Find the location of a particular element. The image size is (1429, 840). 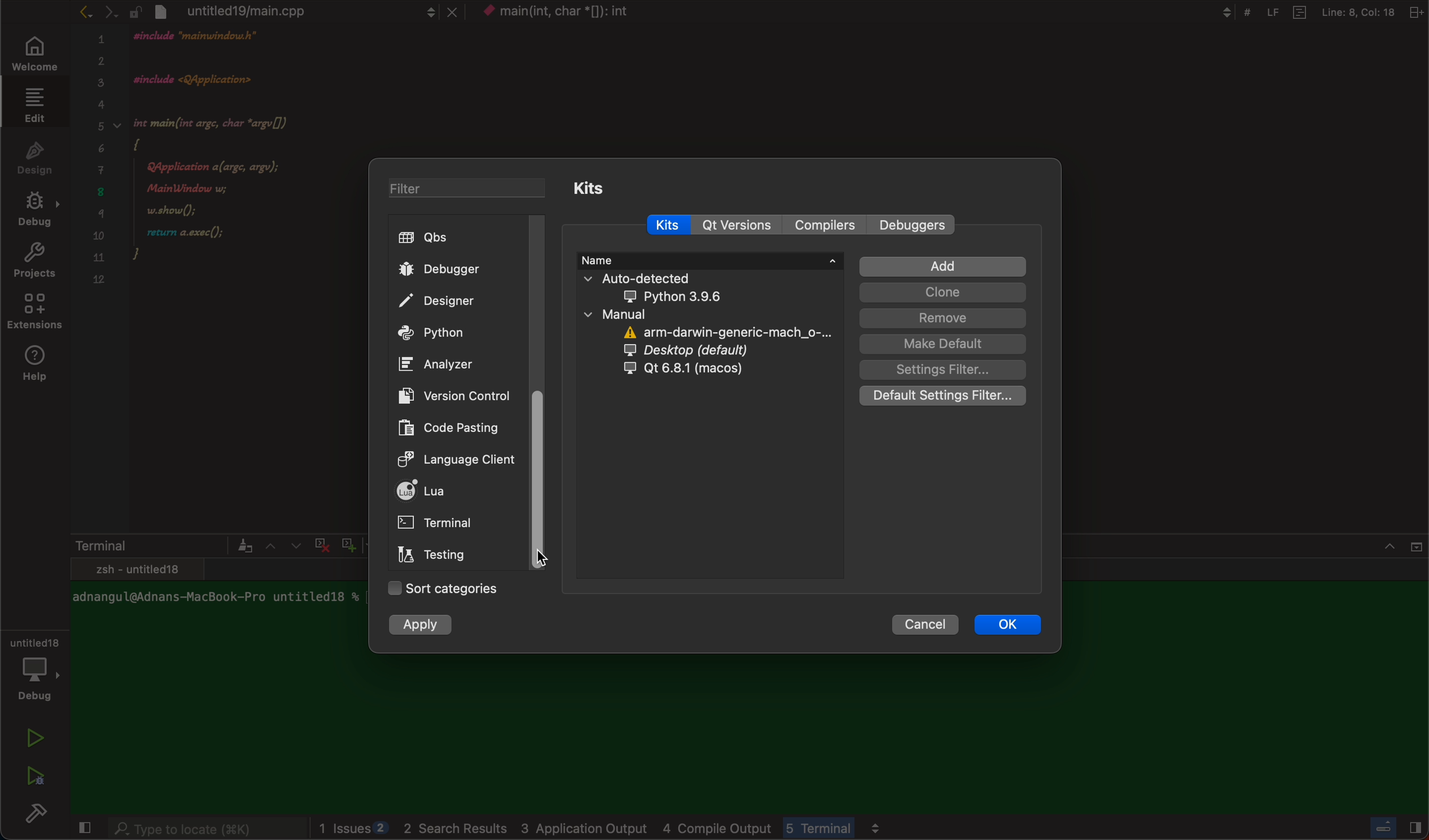

code pasting is located at coordinates (441, 427).